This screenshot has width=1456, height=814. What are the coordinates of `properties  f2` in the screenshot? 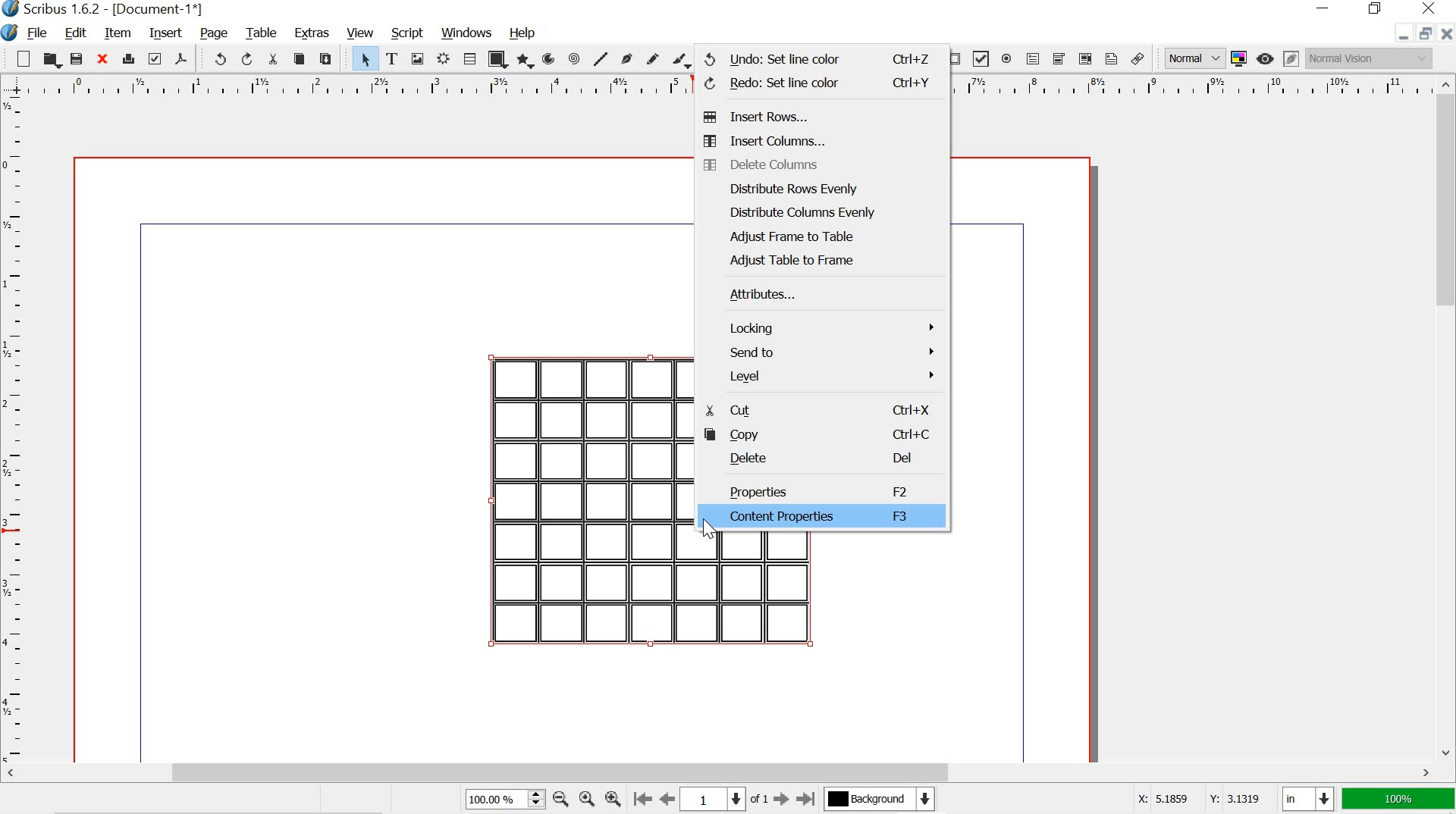 It's located at (824, 490).